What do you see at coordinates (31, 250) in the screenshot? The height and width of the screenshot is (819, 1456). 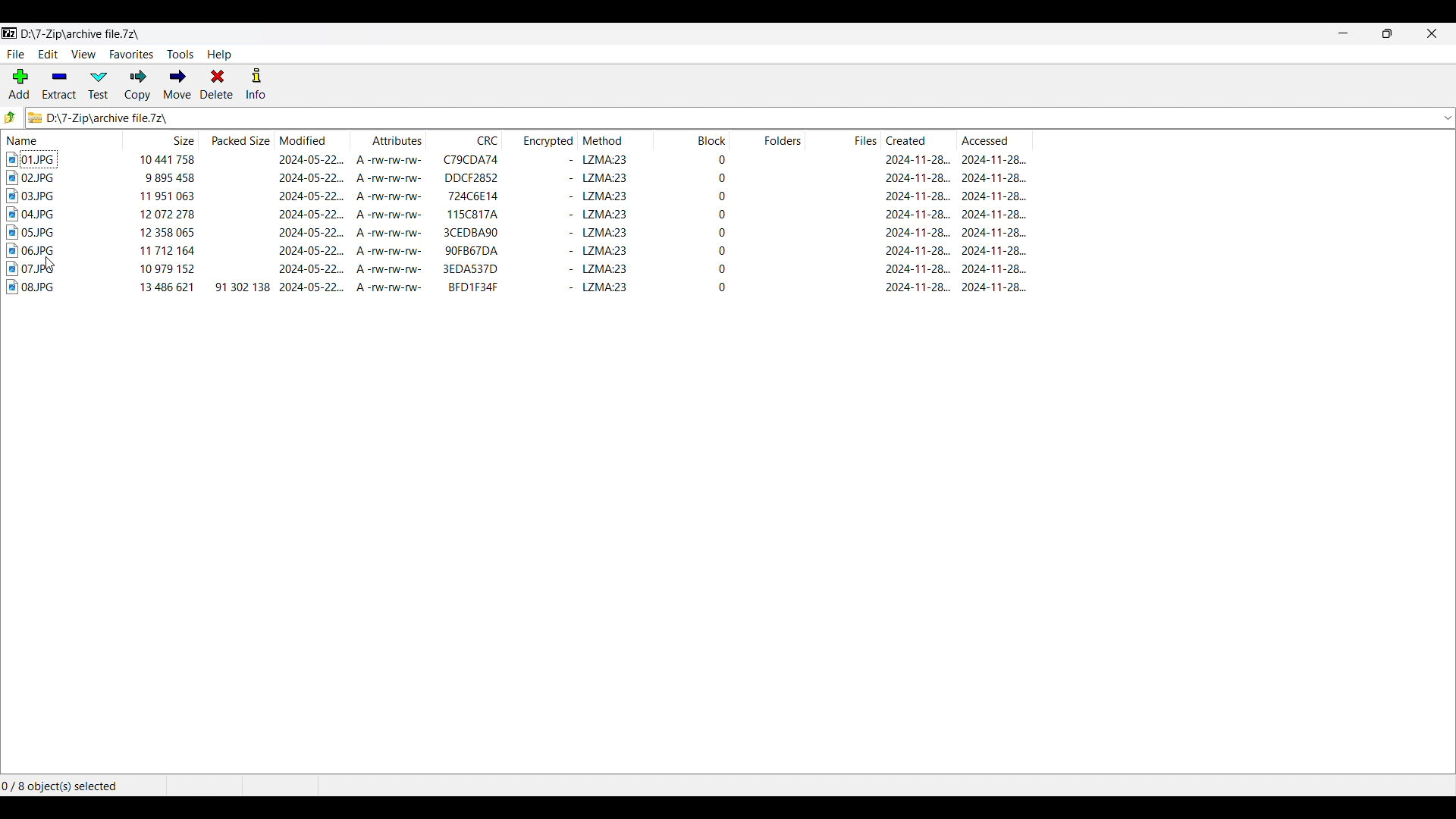 I see `image file` at bounding box center [31, 250].